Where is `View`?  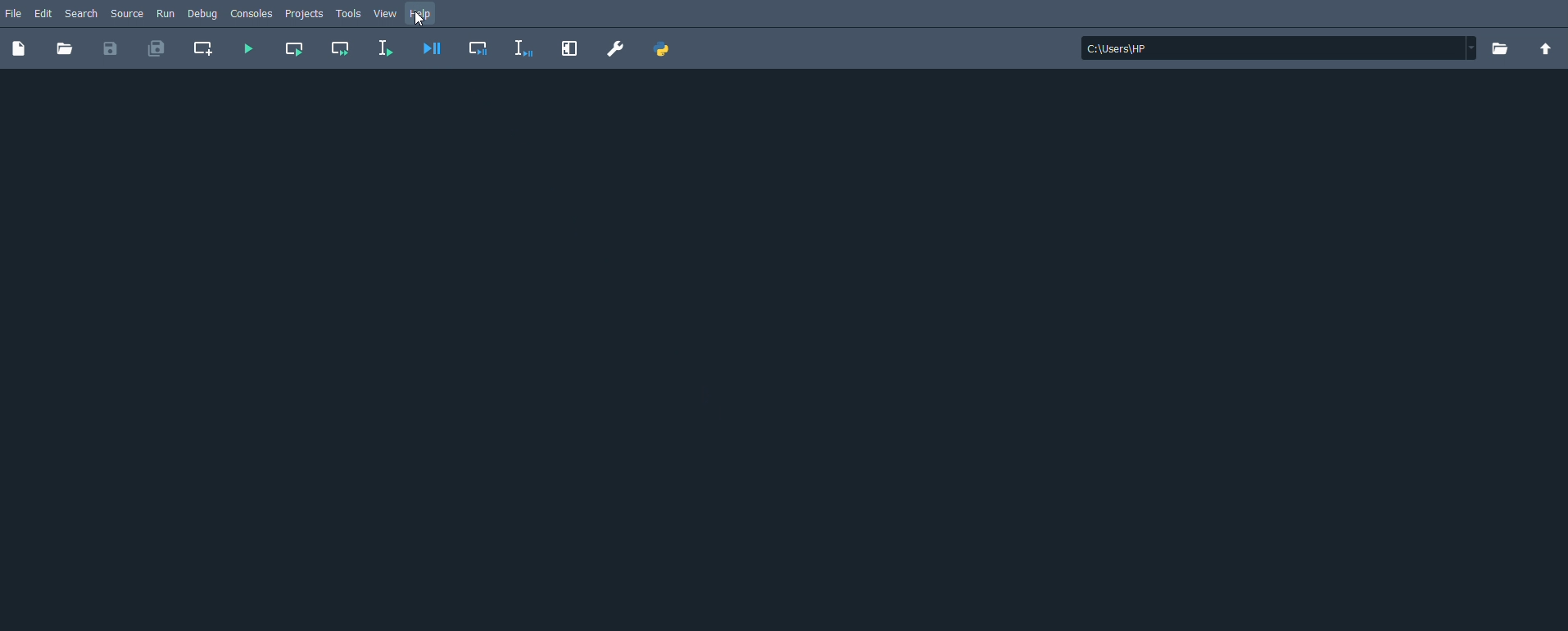
View is located at coordinates (385, 14).